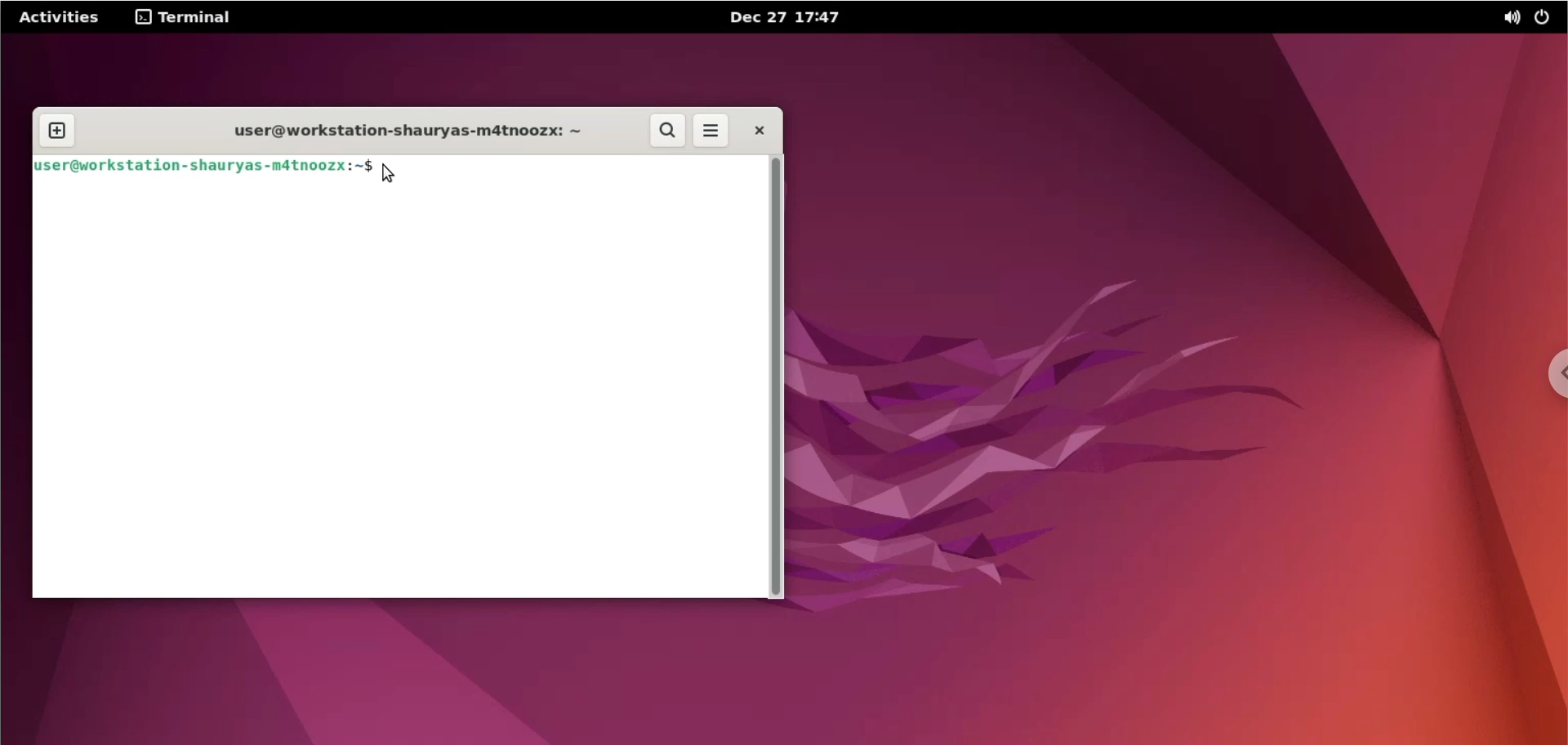 The image size is (1568, 745). Describe the element at coordinates (778, 377) in the screenshot. I see `scrollbar` at that location.